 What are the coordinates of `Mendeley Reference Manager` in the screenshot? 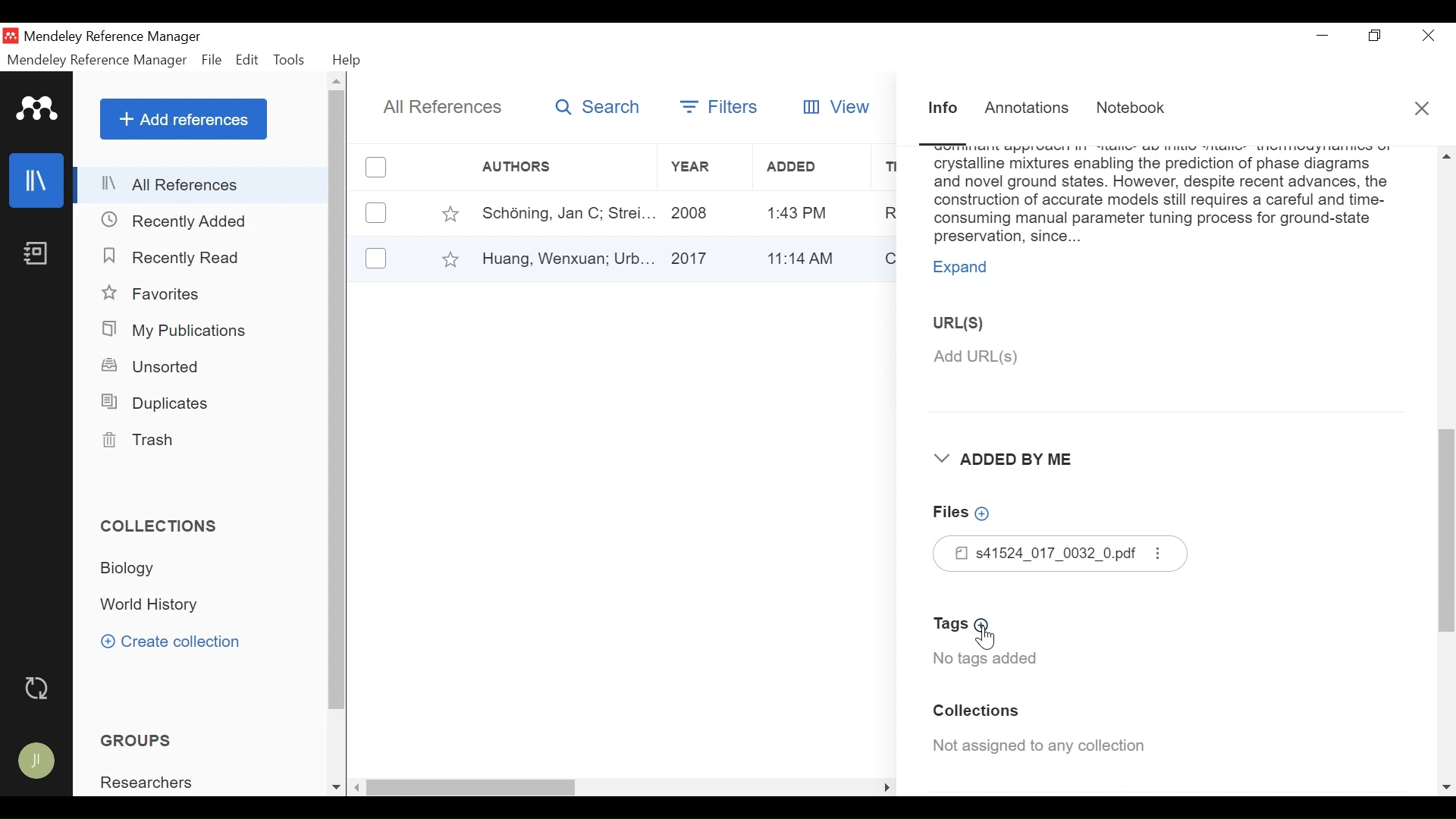 It's located at (116, 36).